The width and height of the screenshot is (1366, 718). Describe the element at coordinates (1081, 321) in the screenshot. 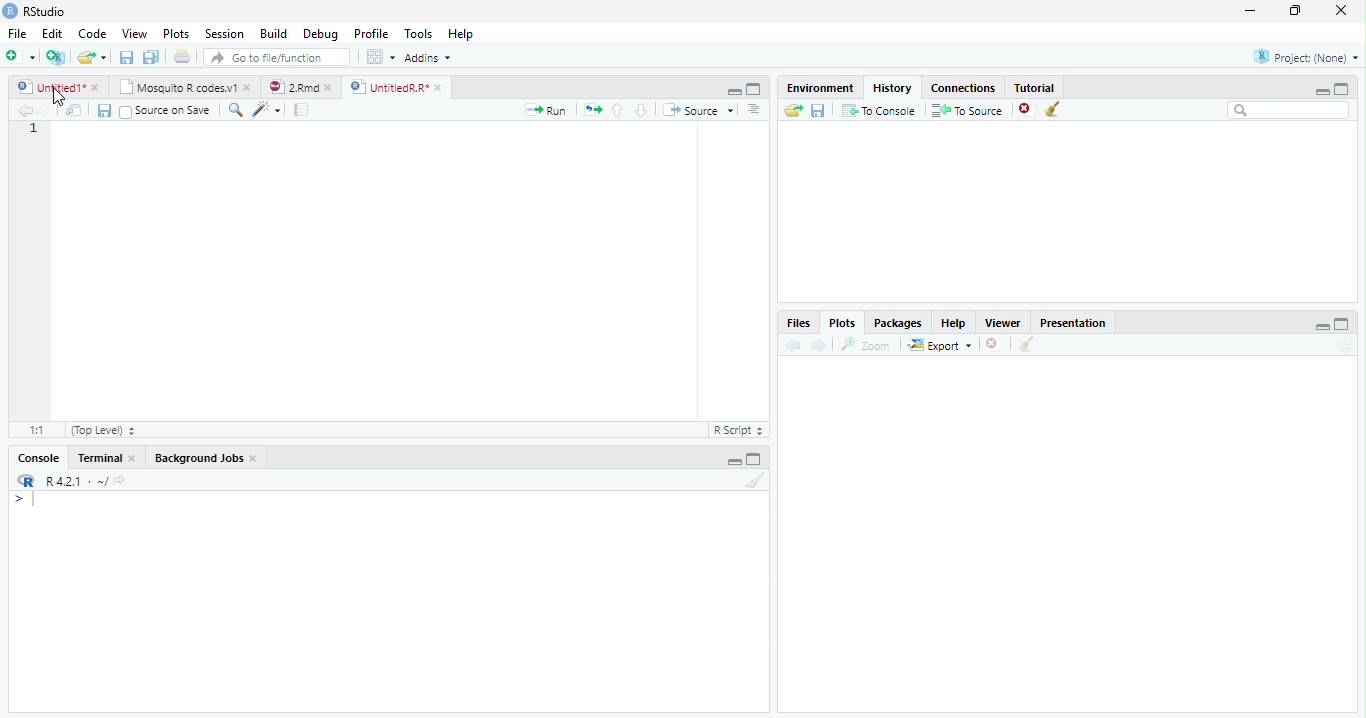

I see `Presentation` at that location.